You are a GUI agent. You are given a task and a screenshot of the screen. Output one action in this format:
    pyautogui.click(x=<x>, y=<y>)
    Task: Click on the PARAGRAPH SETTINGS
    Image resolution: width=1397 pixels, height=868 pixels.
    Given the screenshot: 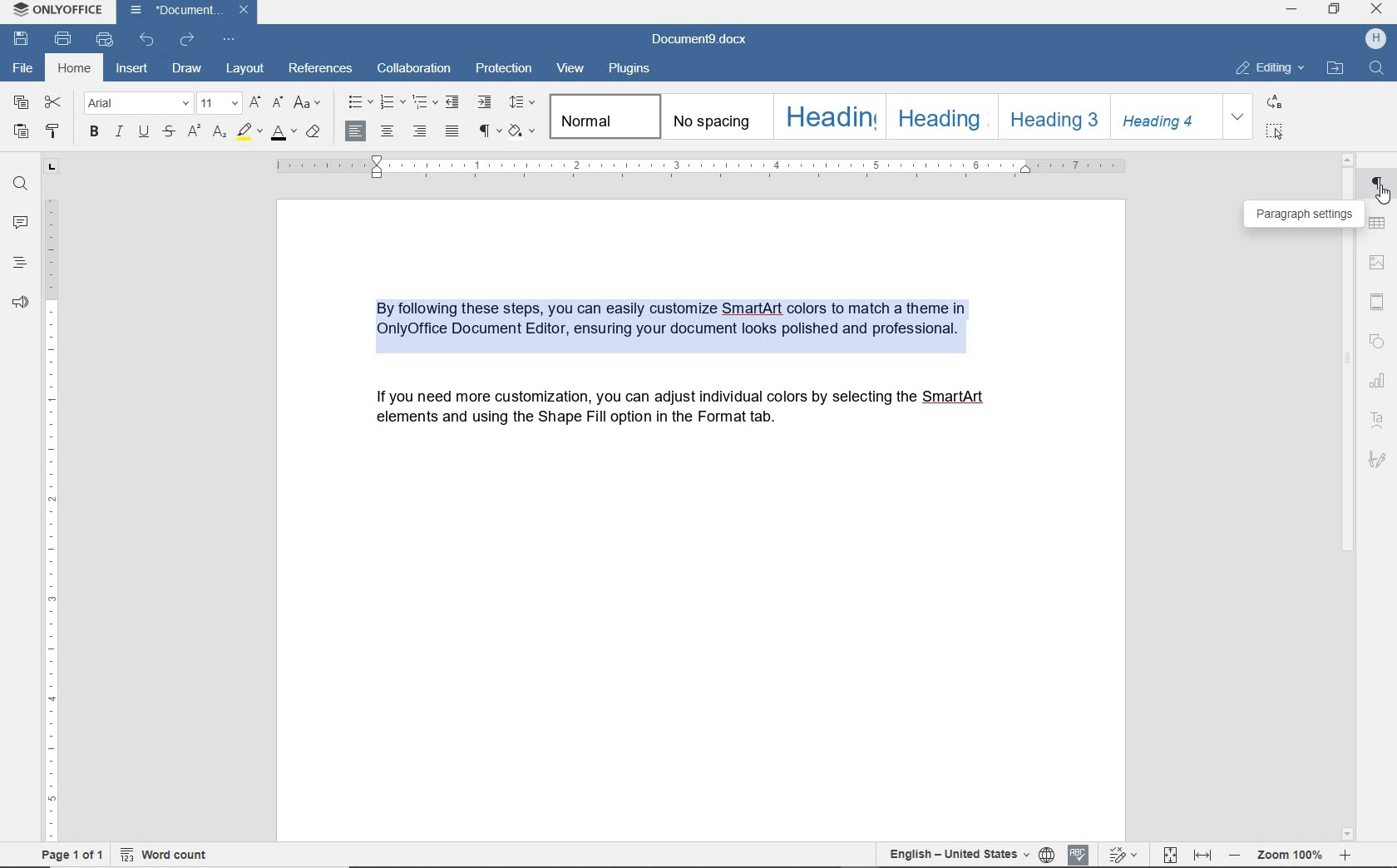 What is the action you would take?
    pyautogui.click(x=1375, y=185)
    